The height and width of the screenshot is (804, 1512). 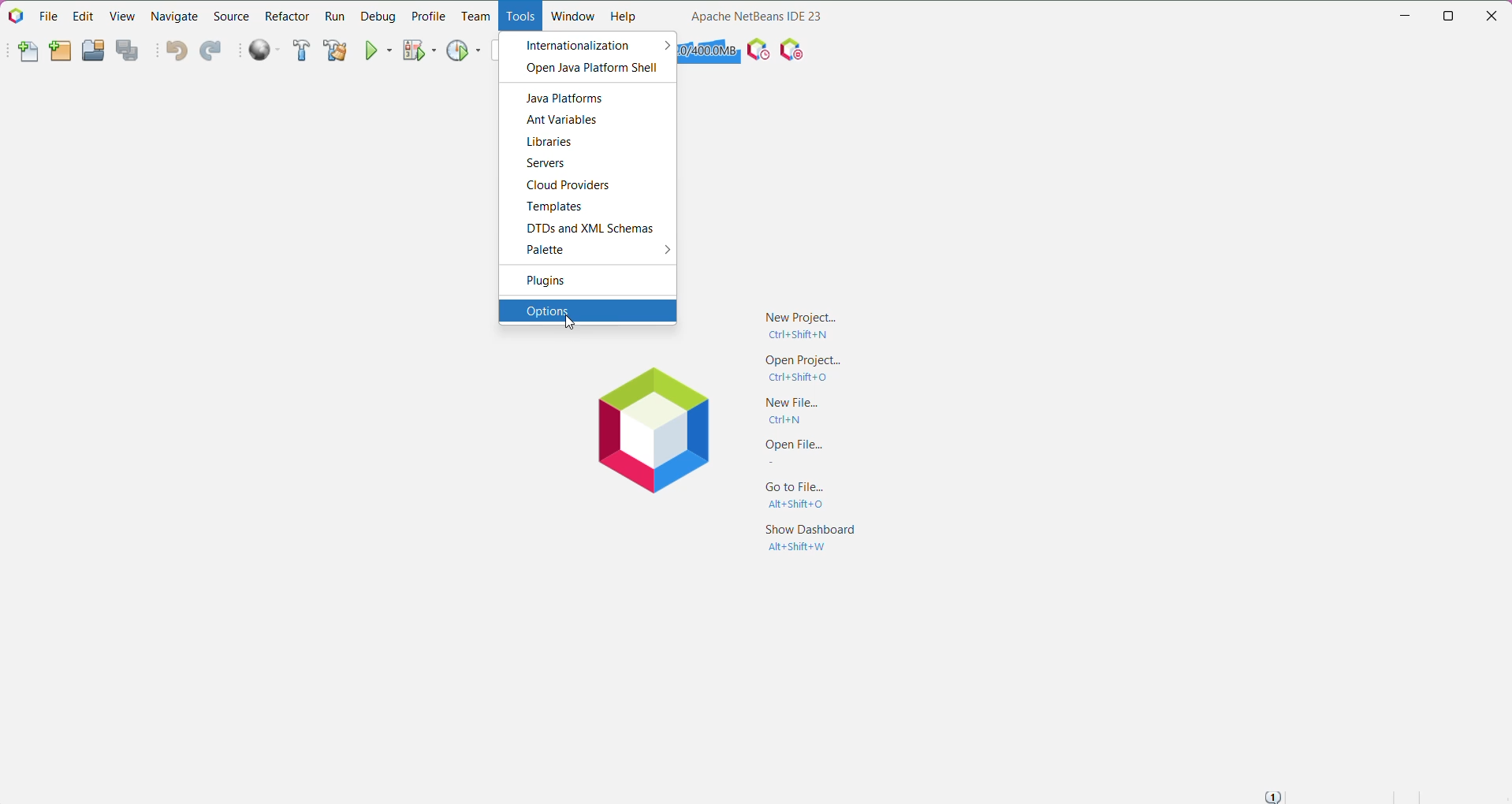 What do you see at coordinates (464, 50) in the screenshot?
I see `Profile Project` at bounding box center [464, 50].